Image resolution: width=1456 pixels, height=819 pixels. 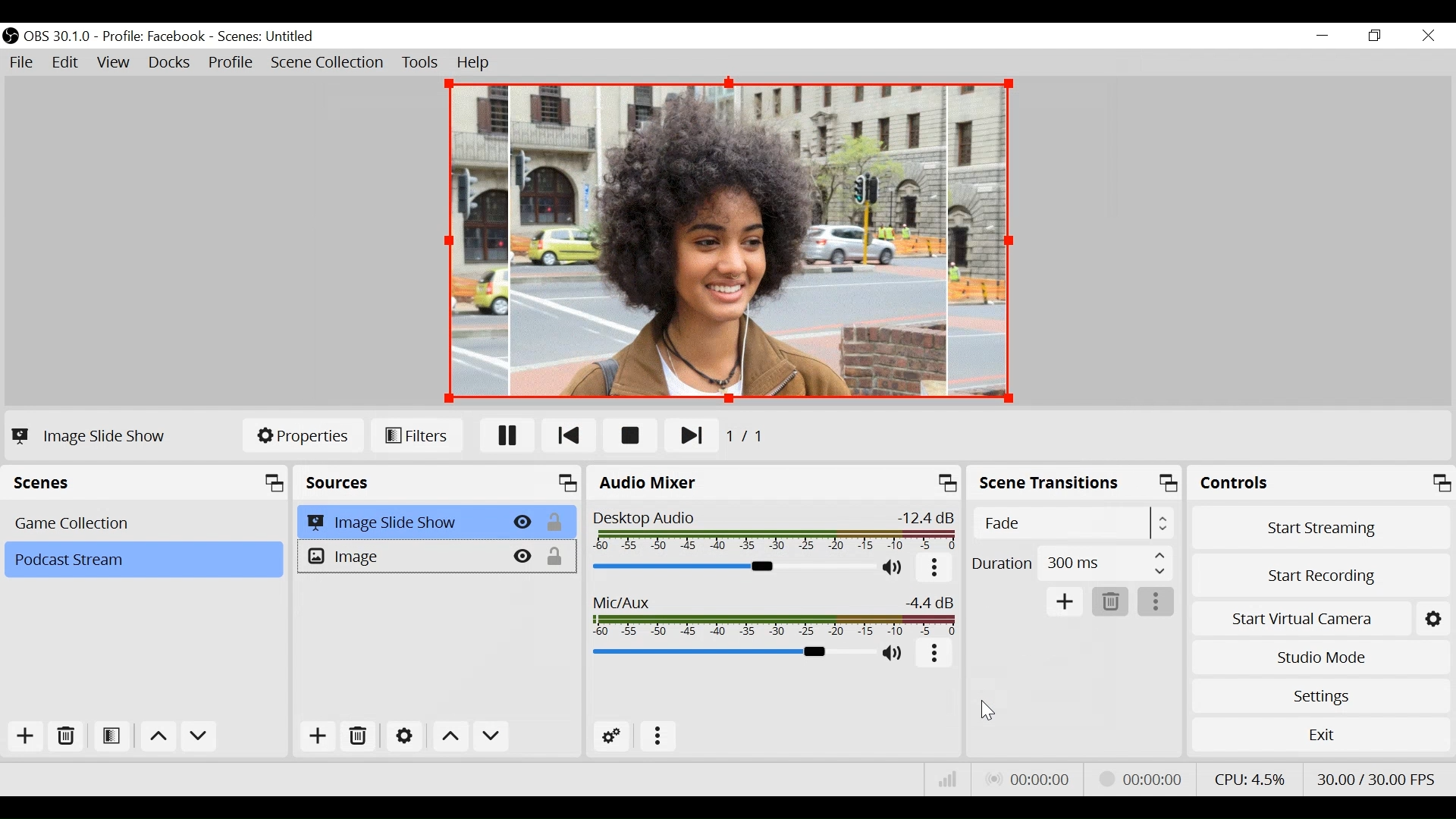 What do you see at coordinates (1072, 566) in the screenshot?
I see `Duration` at bounding box center [1072, 566].